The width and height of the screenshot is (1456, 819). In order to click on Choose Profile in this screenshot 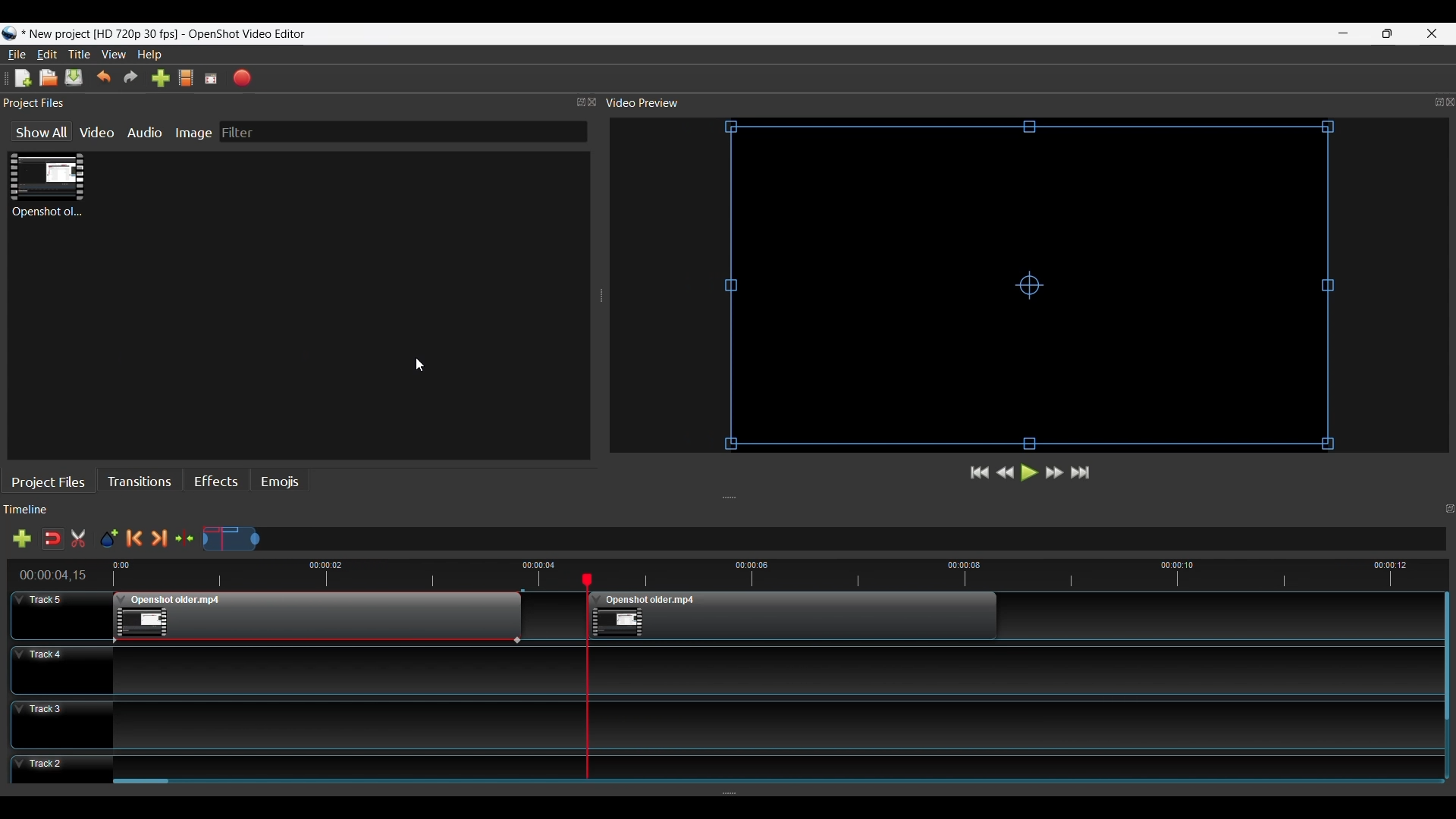, I will do `click(185, 79)`.